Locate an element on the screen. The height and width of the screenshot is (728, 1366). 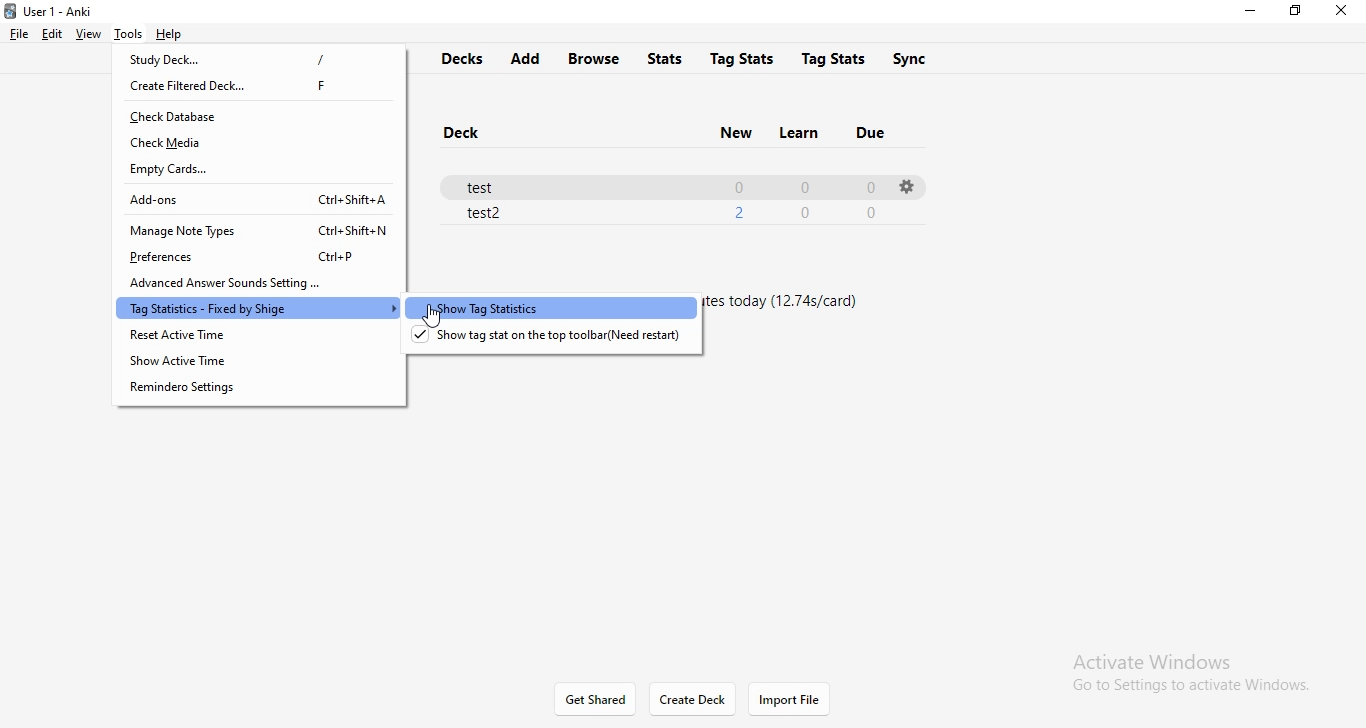
tools is located at coordinates (128, 32).